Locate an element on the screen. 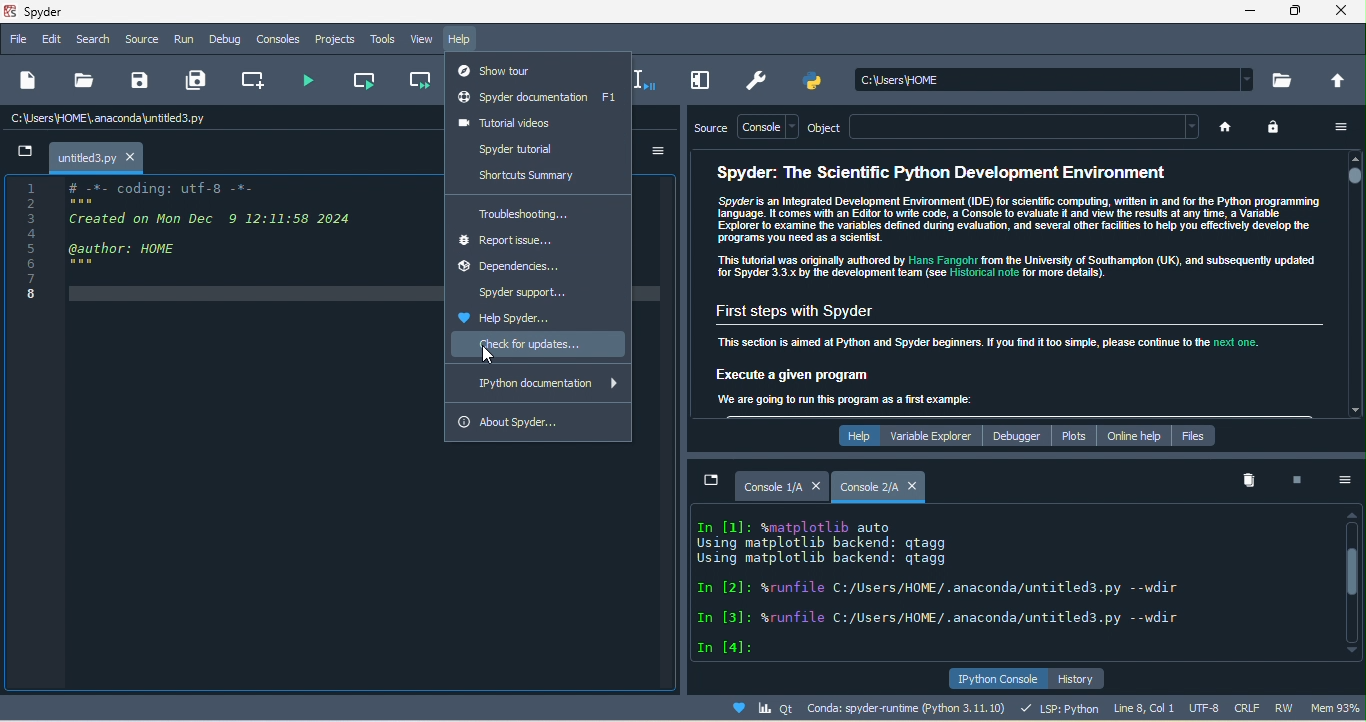 The image size is (1366, 722). close is located at coordinates (816, 484).